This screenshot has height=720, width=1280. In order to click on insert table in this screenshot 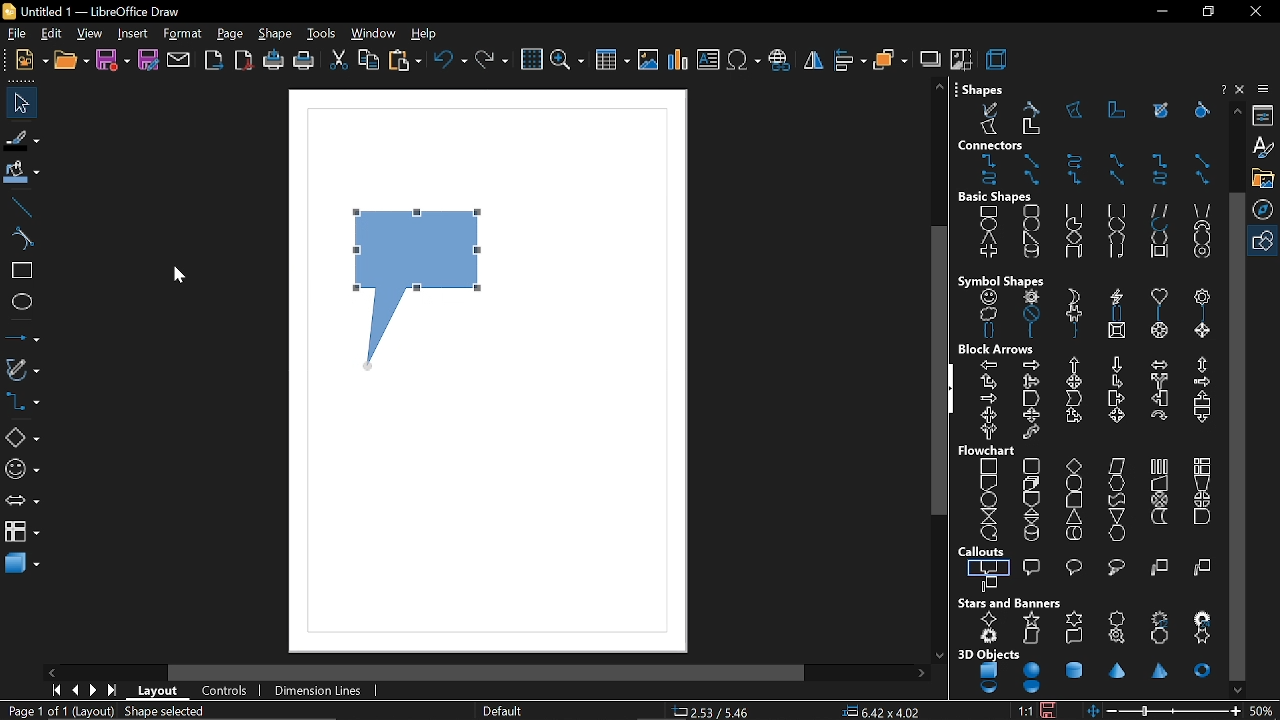, I will do `click(611, 62)`.